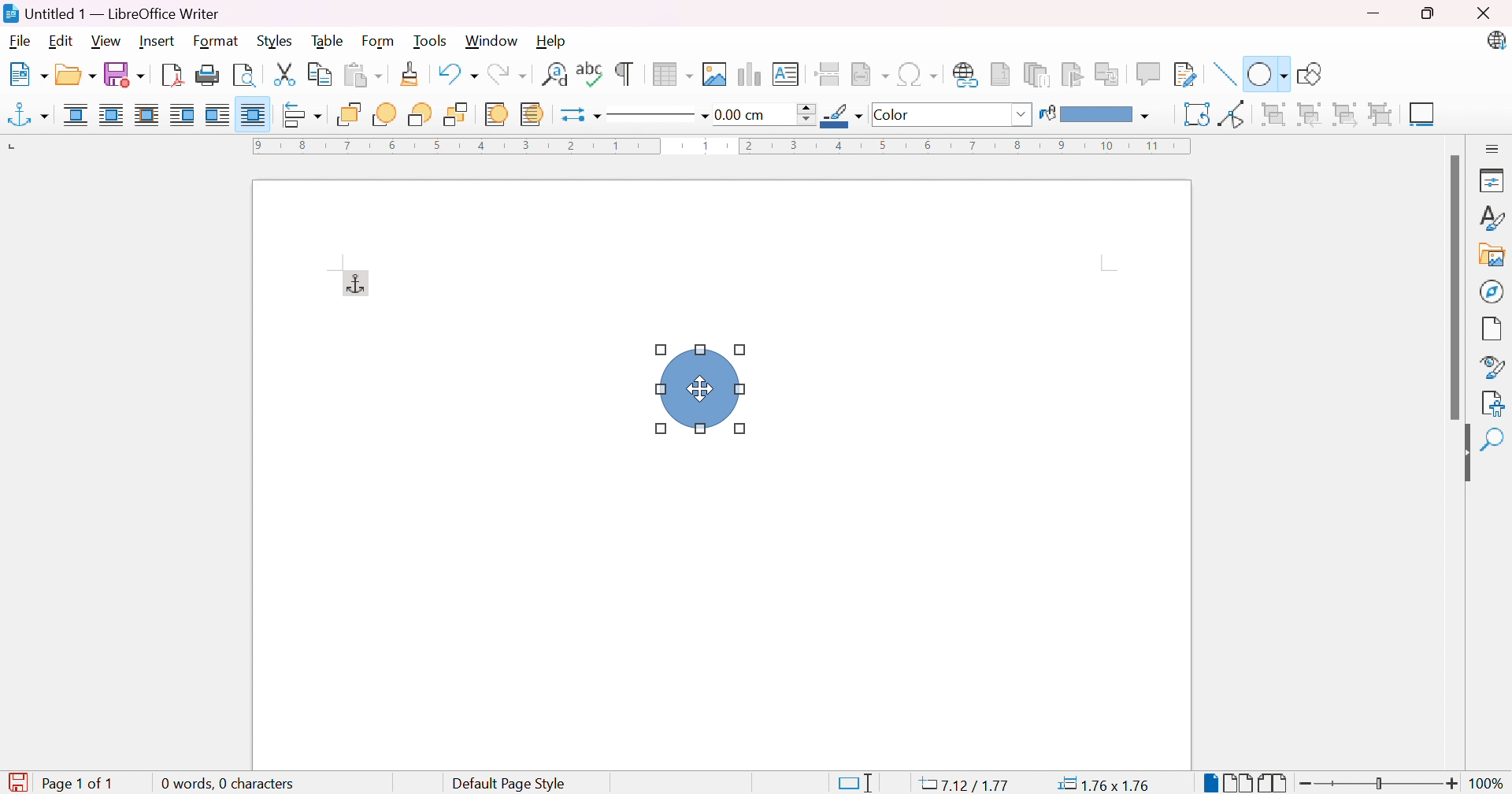 The width and height of the screenshot is (1512, 794). What do you see at coordinates (217, 42) in the screenshot?
I see `Format` at bounding box center [217, 42].